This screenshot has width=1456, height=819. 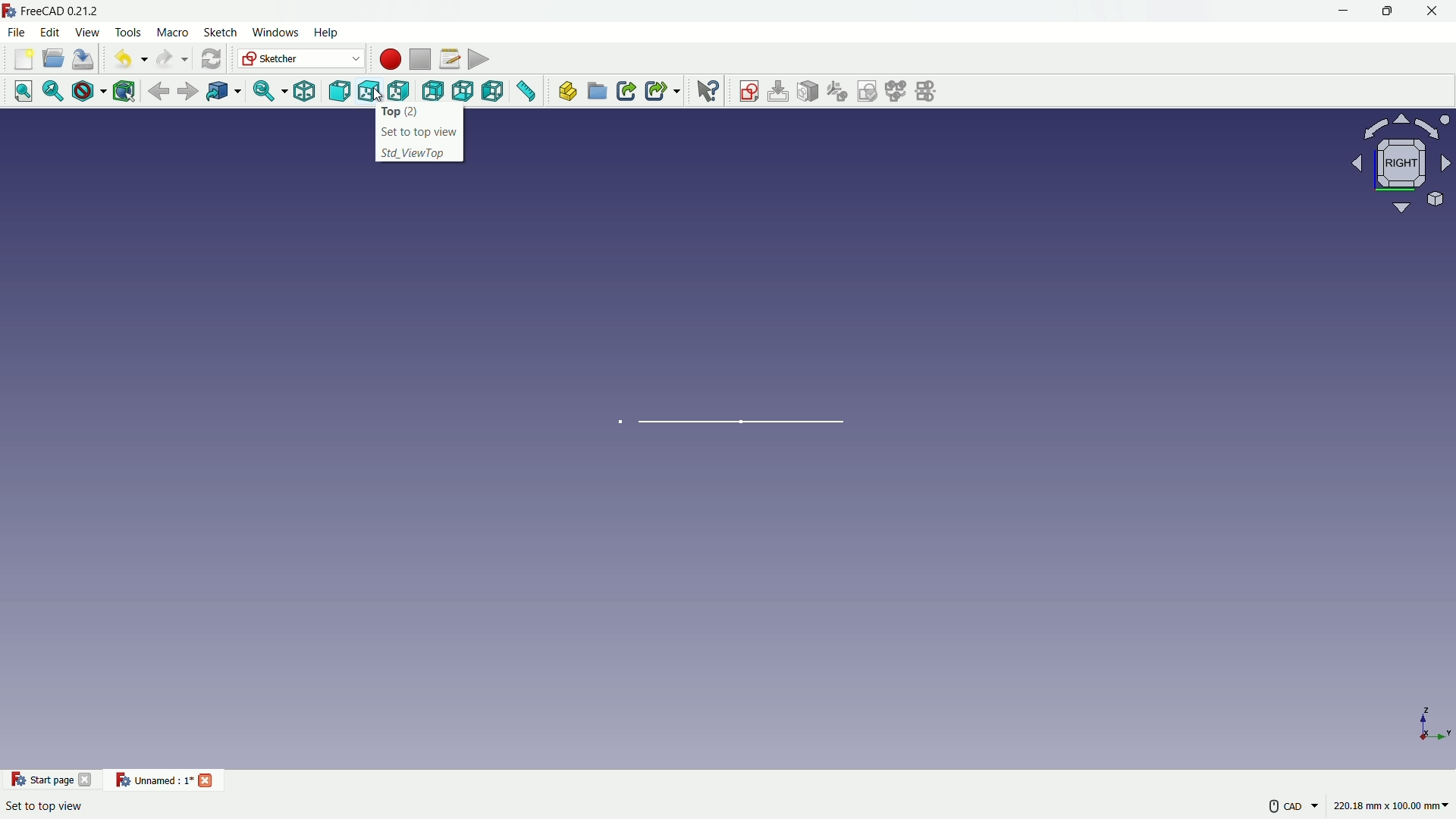 What do you see at coordinates (838, 92) in the screenshot?
I see `sketch reorient` at bounding box center [838, 92].